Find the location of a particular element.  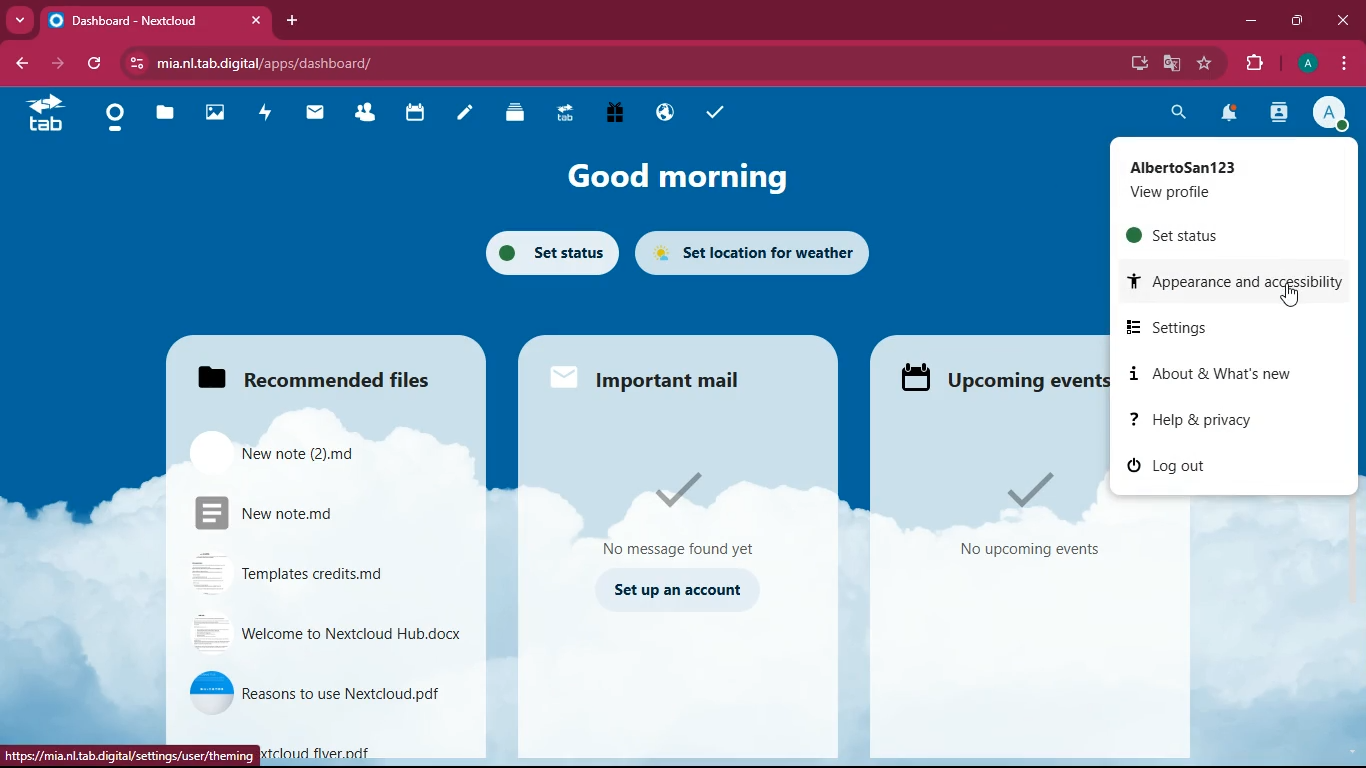

forward is located at coordinates (61, 64).